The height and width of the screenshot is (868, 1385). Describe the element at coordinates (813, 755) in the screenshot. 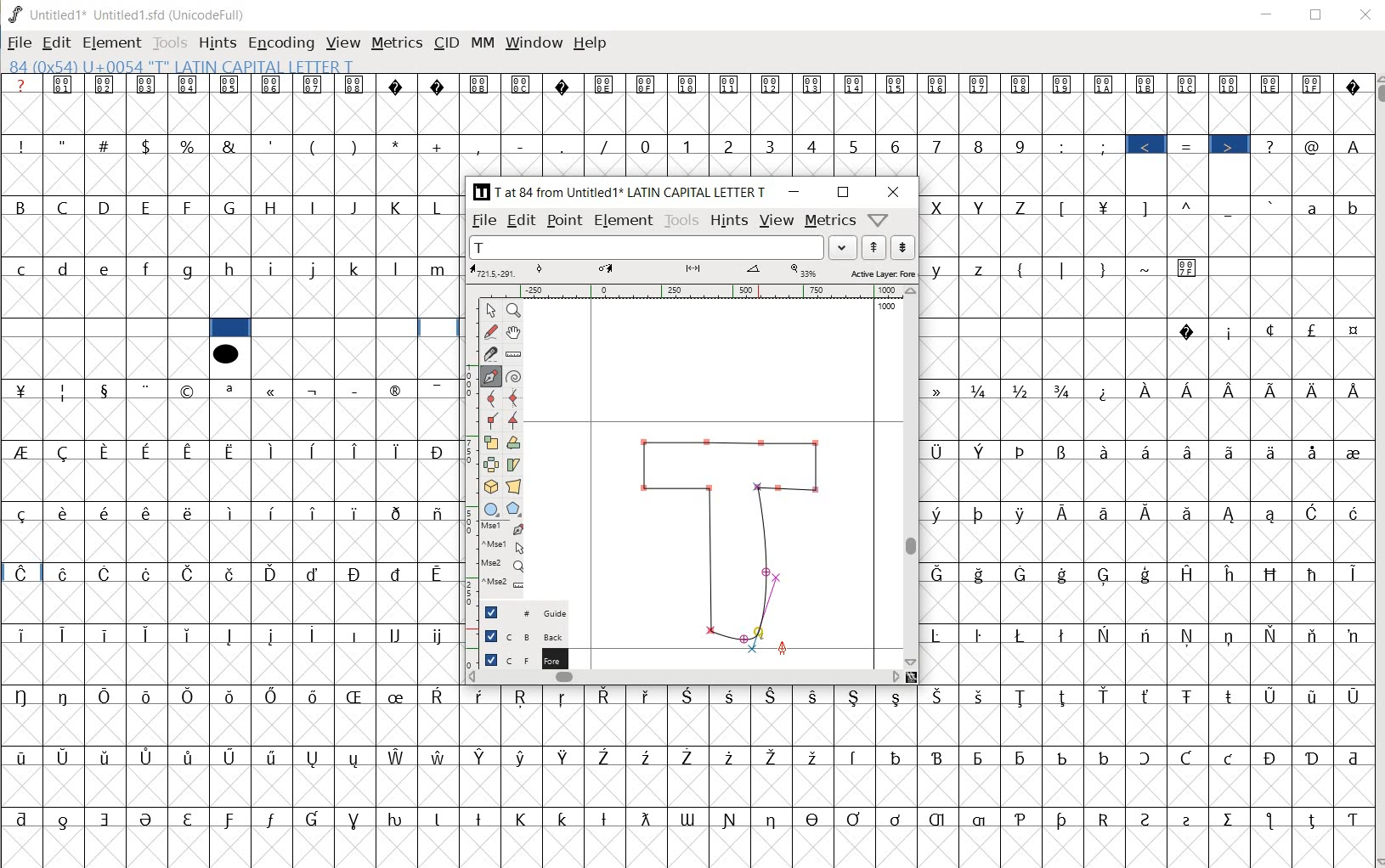

I see `Symbol` at that location.